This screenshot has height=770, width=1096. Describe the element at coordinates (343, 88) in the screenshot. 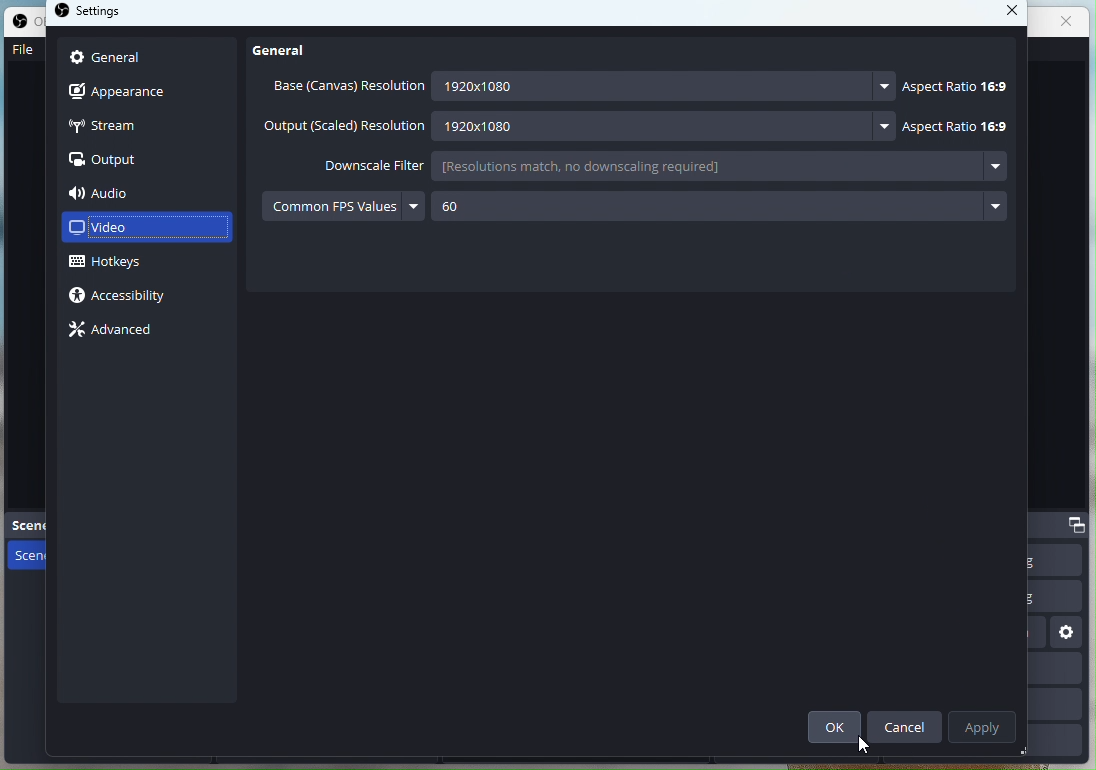

I see `Base (Canvas) resolution` at that location.